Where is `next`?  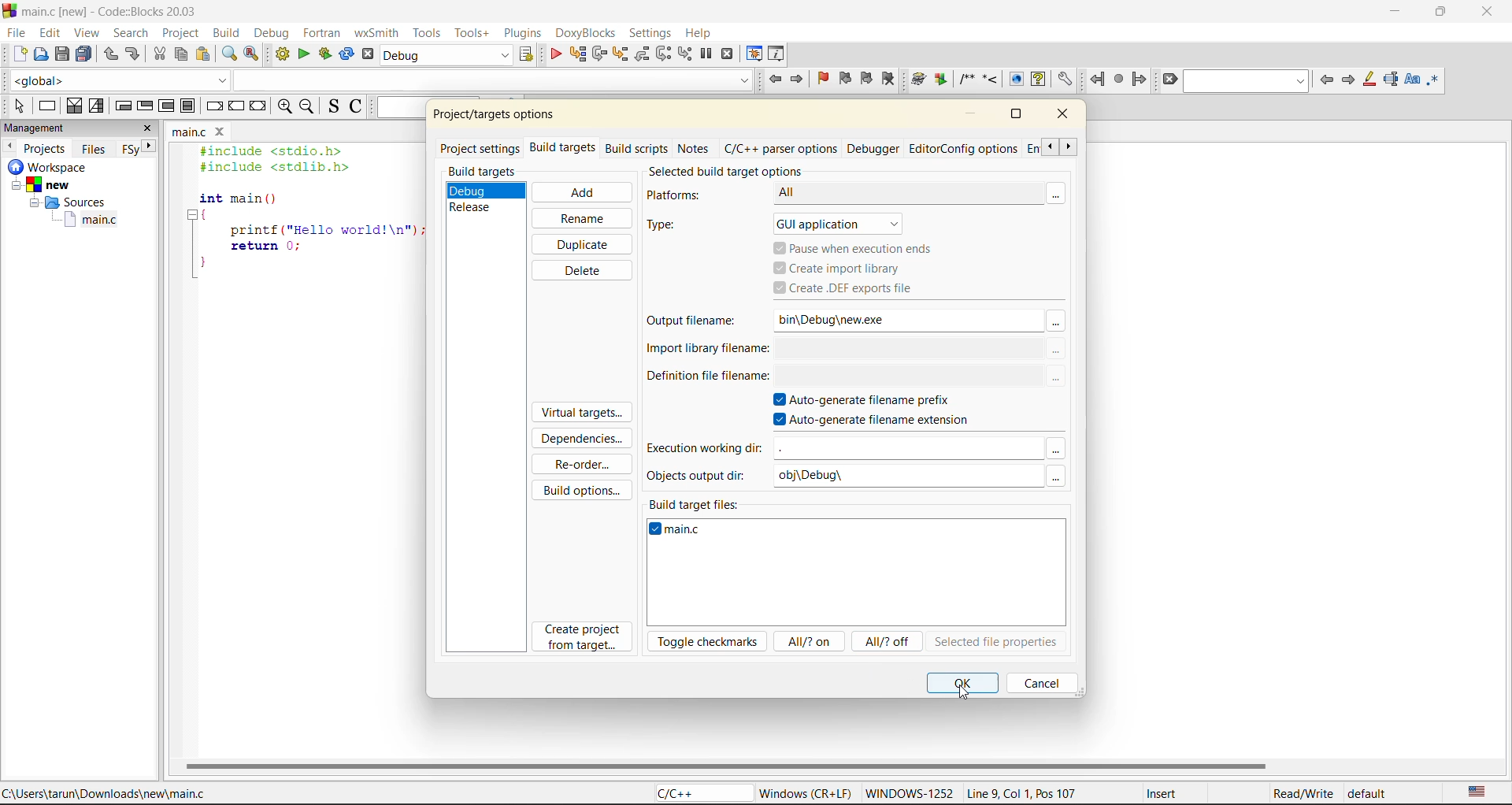 next is located at coordinates (151, 146).